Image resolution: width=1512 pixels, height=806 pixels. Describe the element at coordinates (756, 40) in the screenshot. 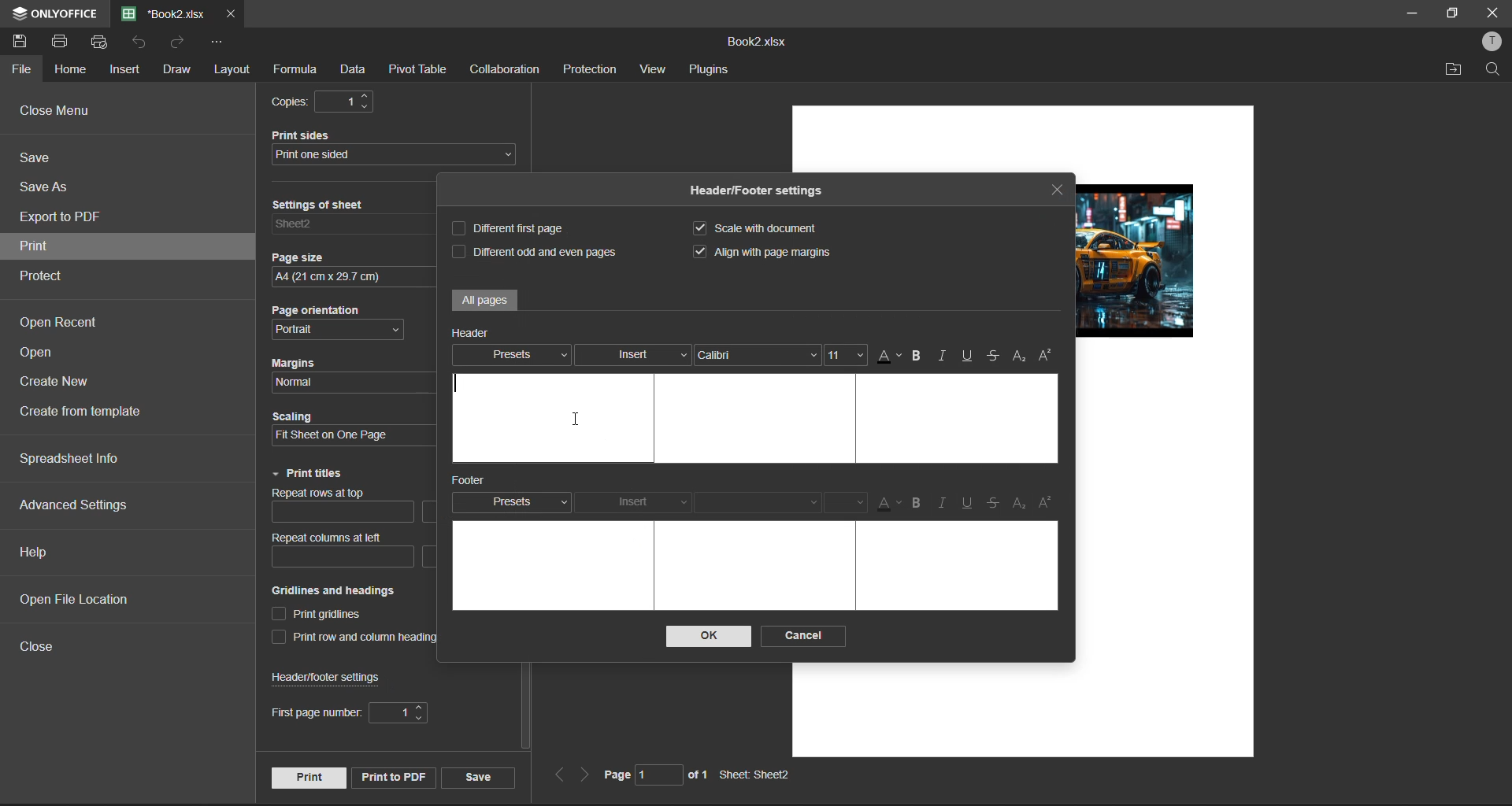

I see `file name` at that location.